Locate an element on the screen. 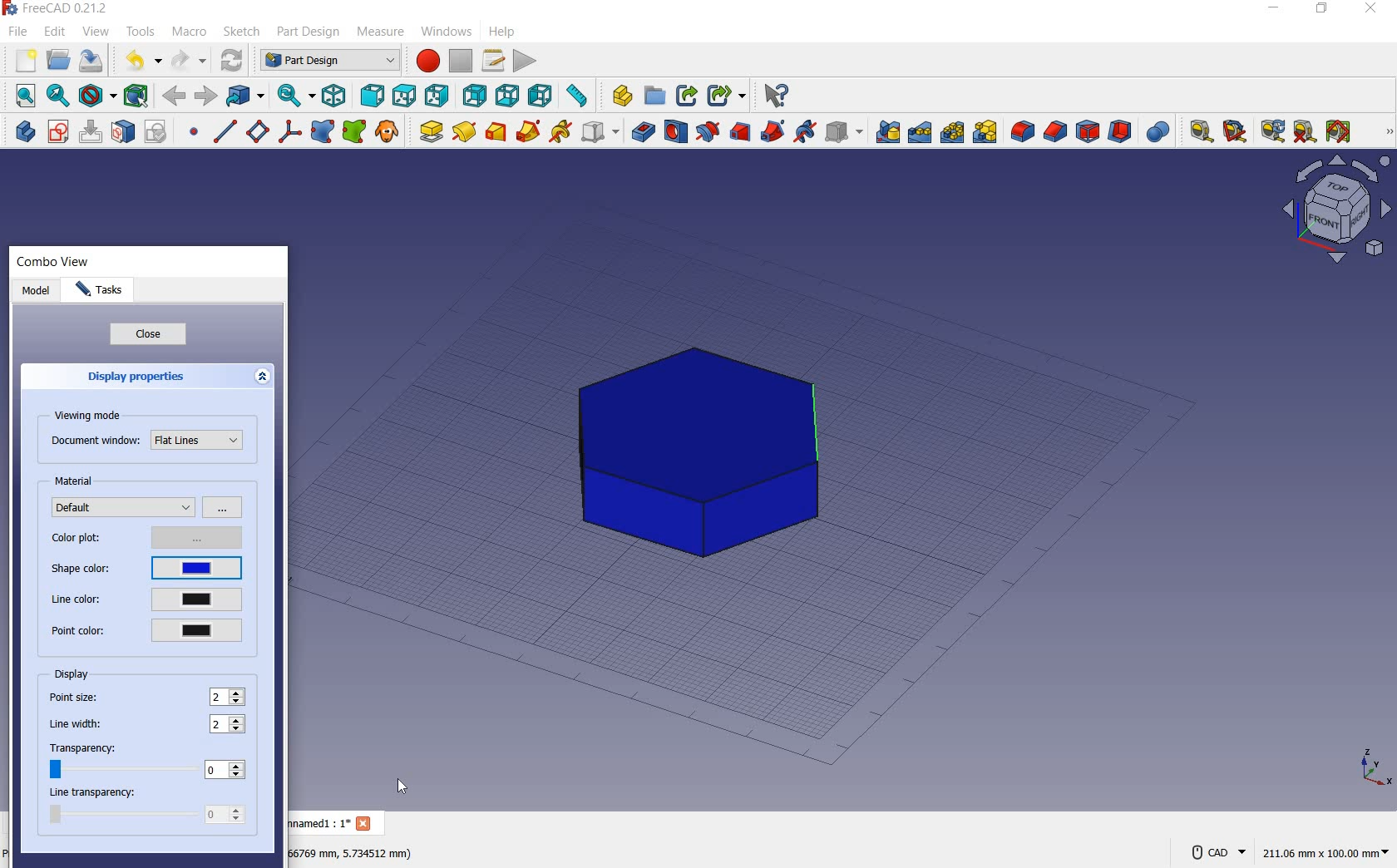 The width and height of the screenshot is (1397, 868). stop macro recording is located at coordinates (461, 61).